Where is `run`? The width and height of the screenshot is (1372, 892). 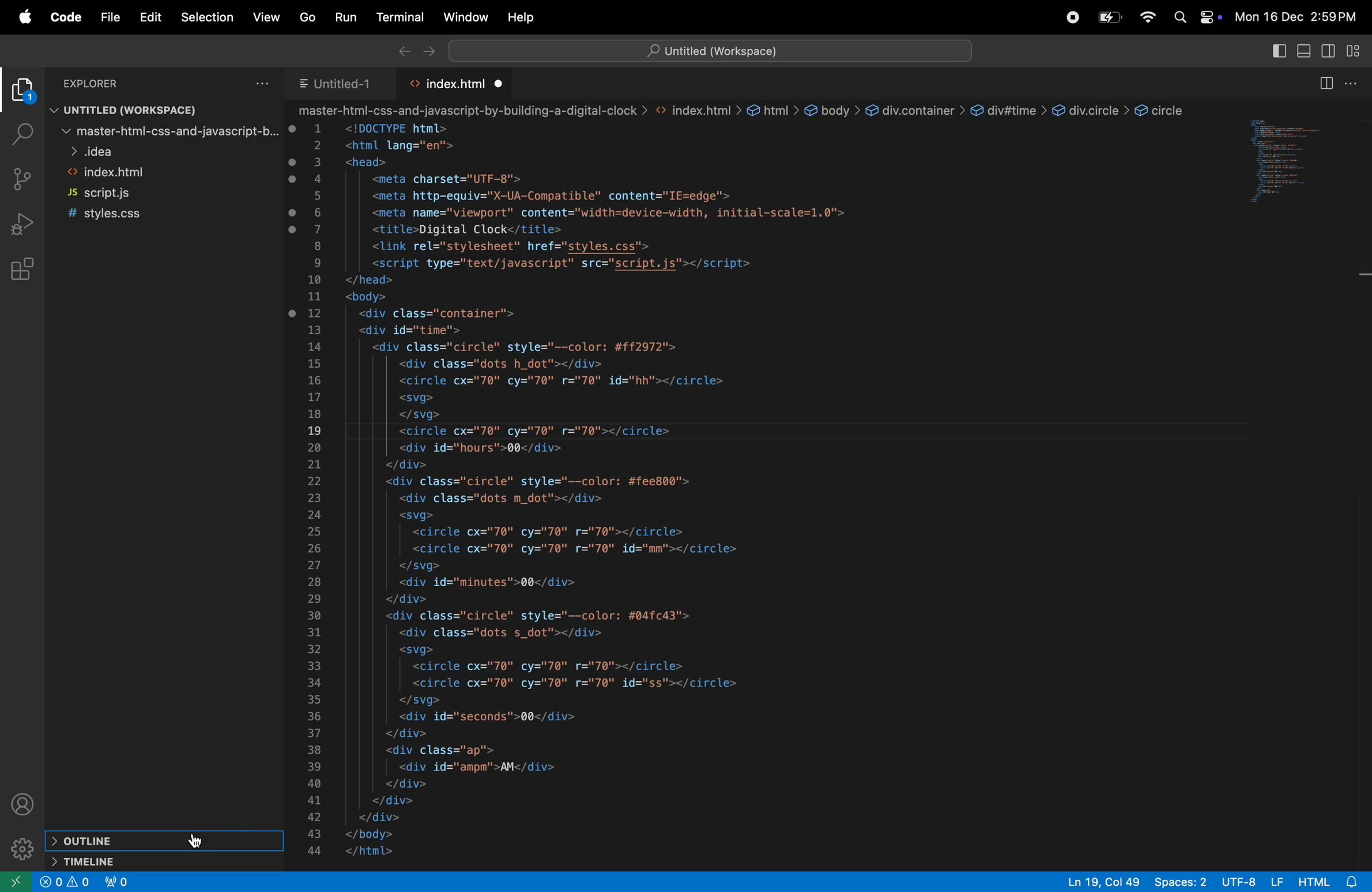 run is located at coordinates (342, 16).